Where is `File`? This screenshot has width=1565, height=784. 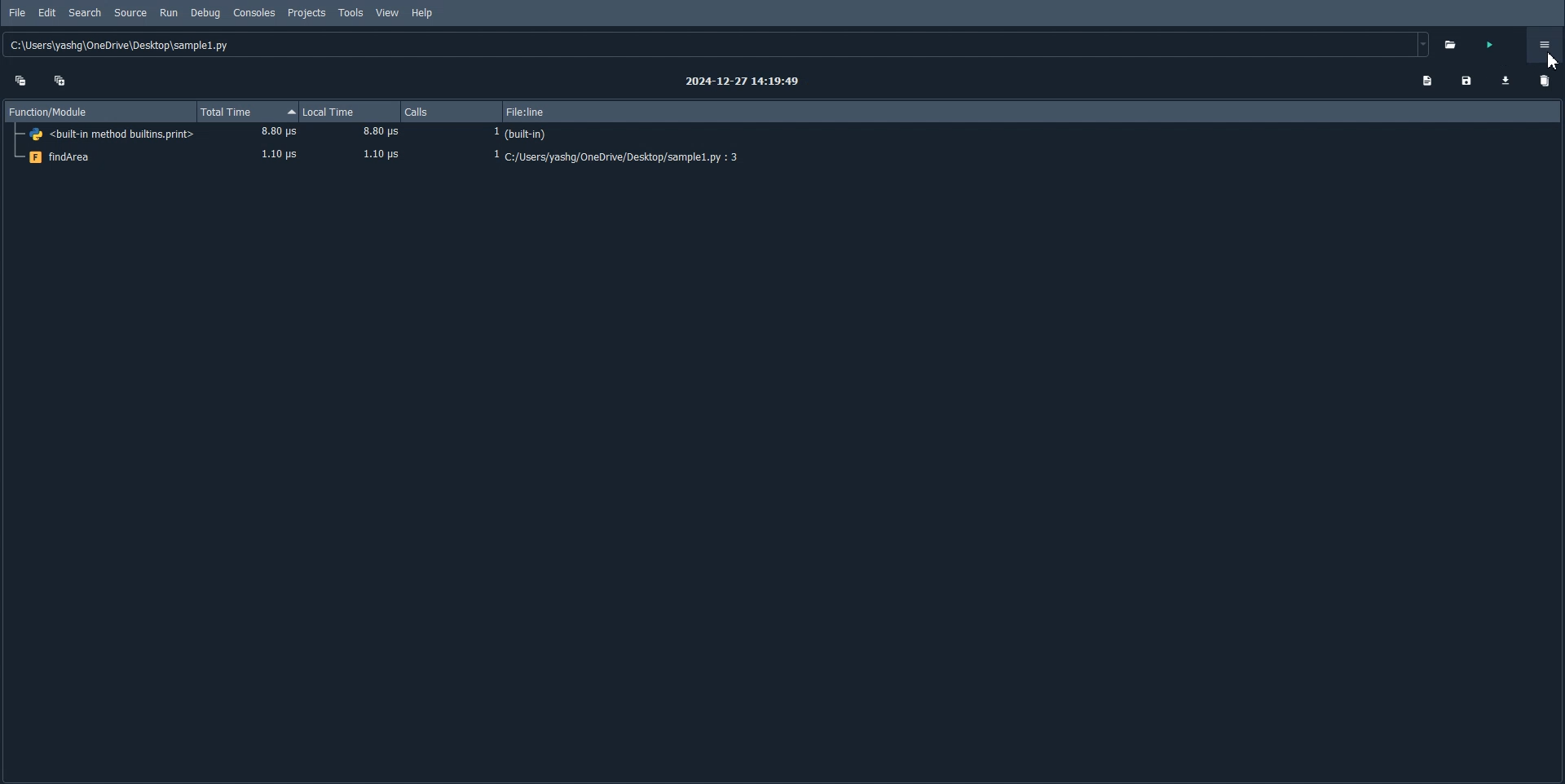 File is located at coordinates (18, 13).